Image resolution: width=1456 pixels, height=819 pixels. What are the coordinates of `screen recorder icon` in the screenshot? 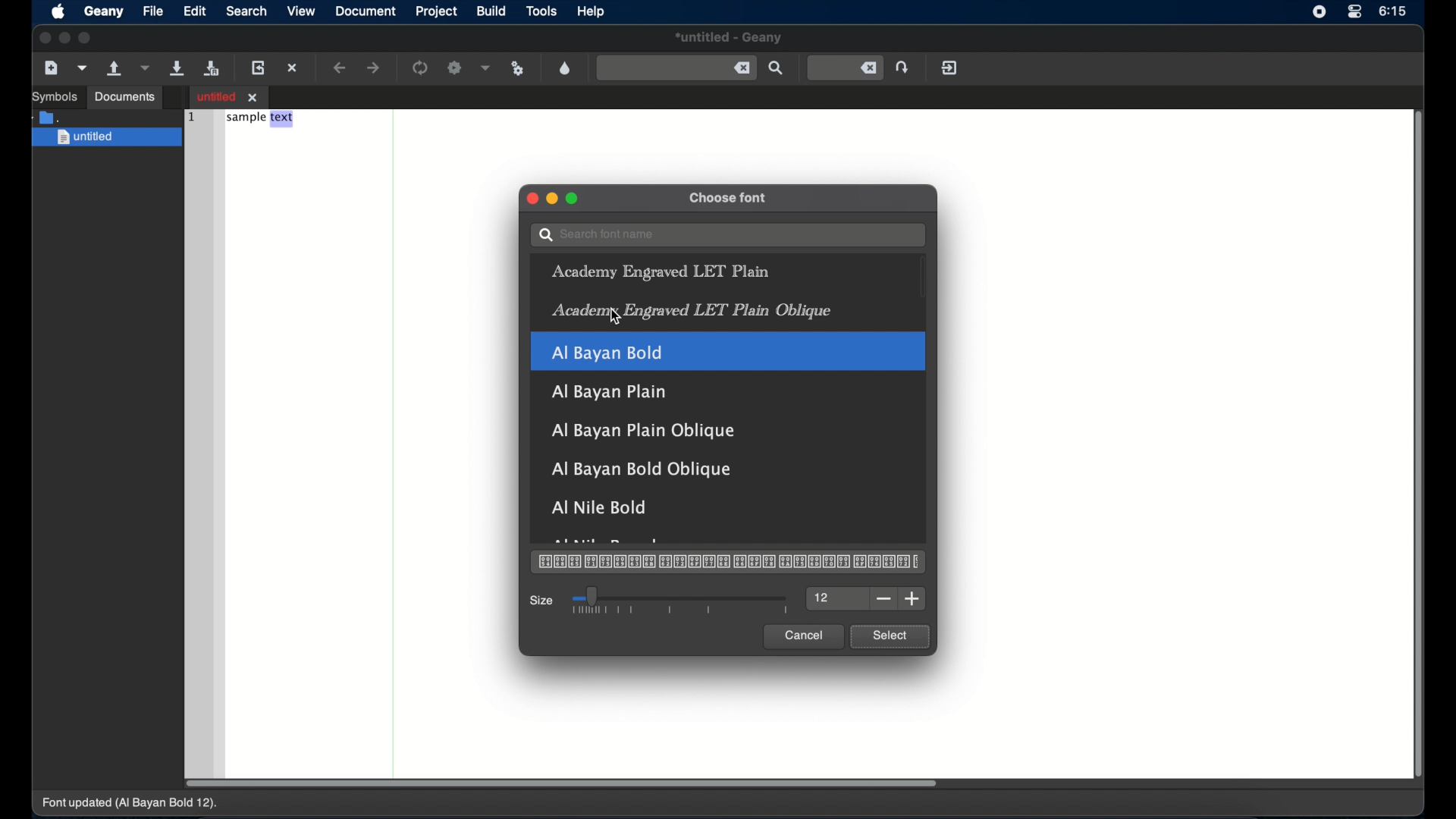 It's located at (1319, 13).